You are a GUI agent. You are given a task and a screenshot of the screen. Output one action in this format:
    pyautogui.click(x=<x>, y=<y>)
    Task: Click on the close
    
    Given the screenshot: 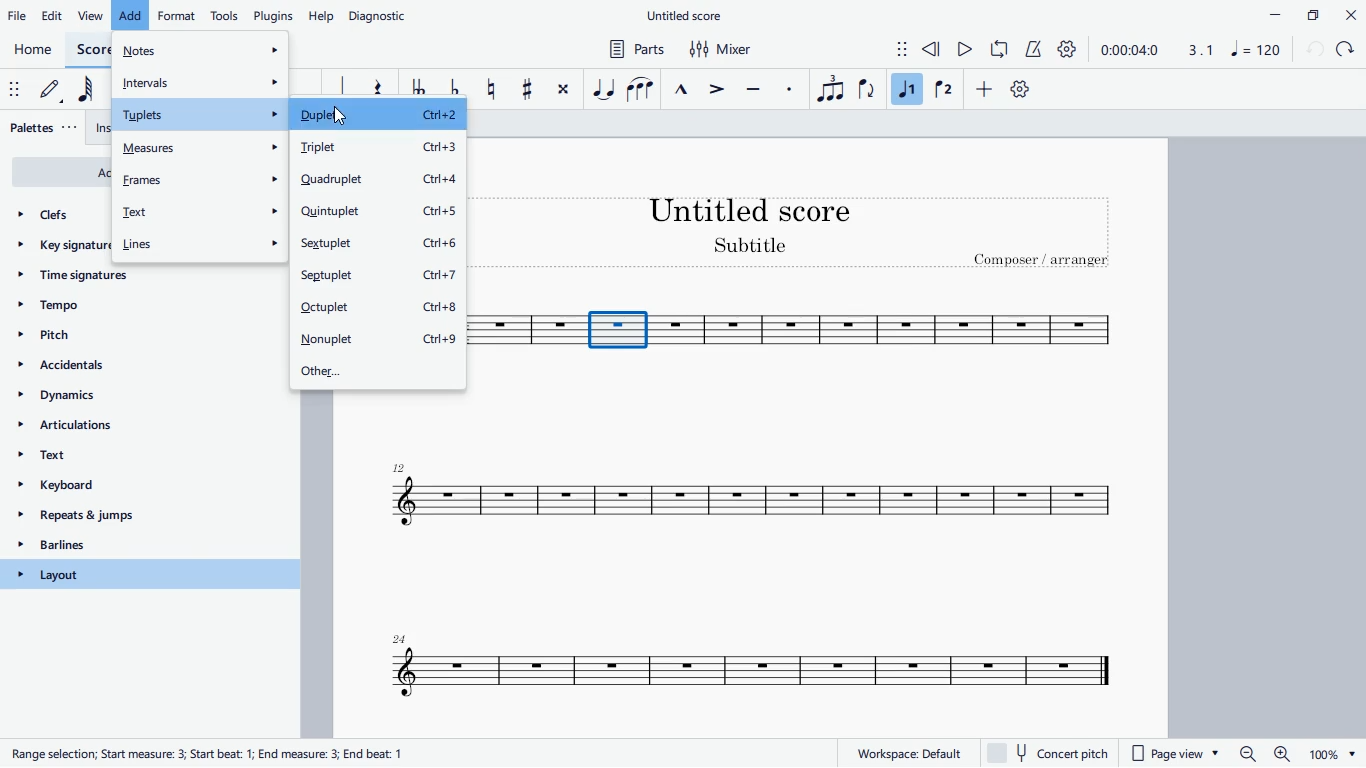 What is the action you would take?
    pyautogui.click(x=1350, y=14)
    